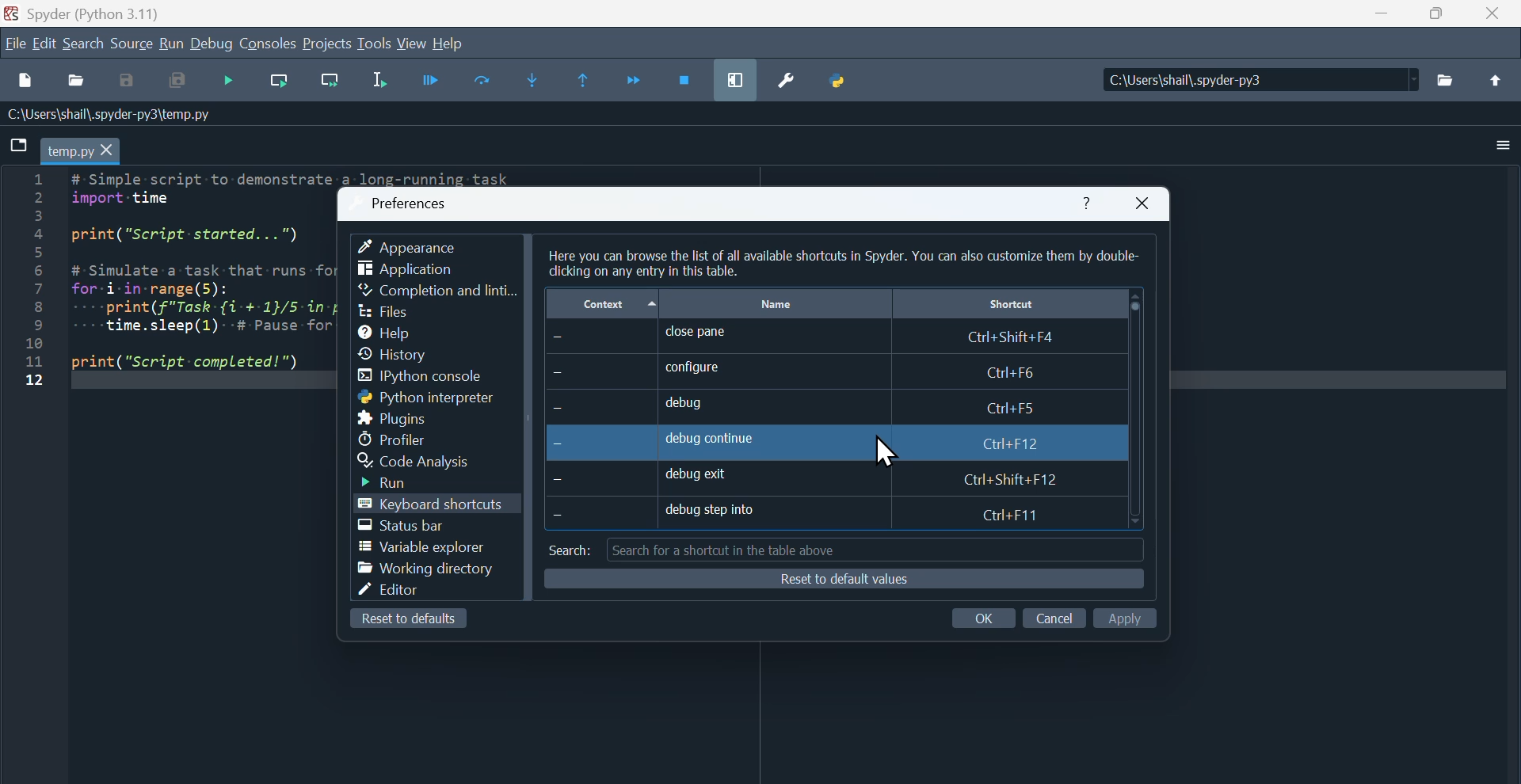 This screenshot has height=784, width=1521. I want to click on dose pane, so click(825, 337).